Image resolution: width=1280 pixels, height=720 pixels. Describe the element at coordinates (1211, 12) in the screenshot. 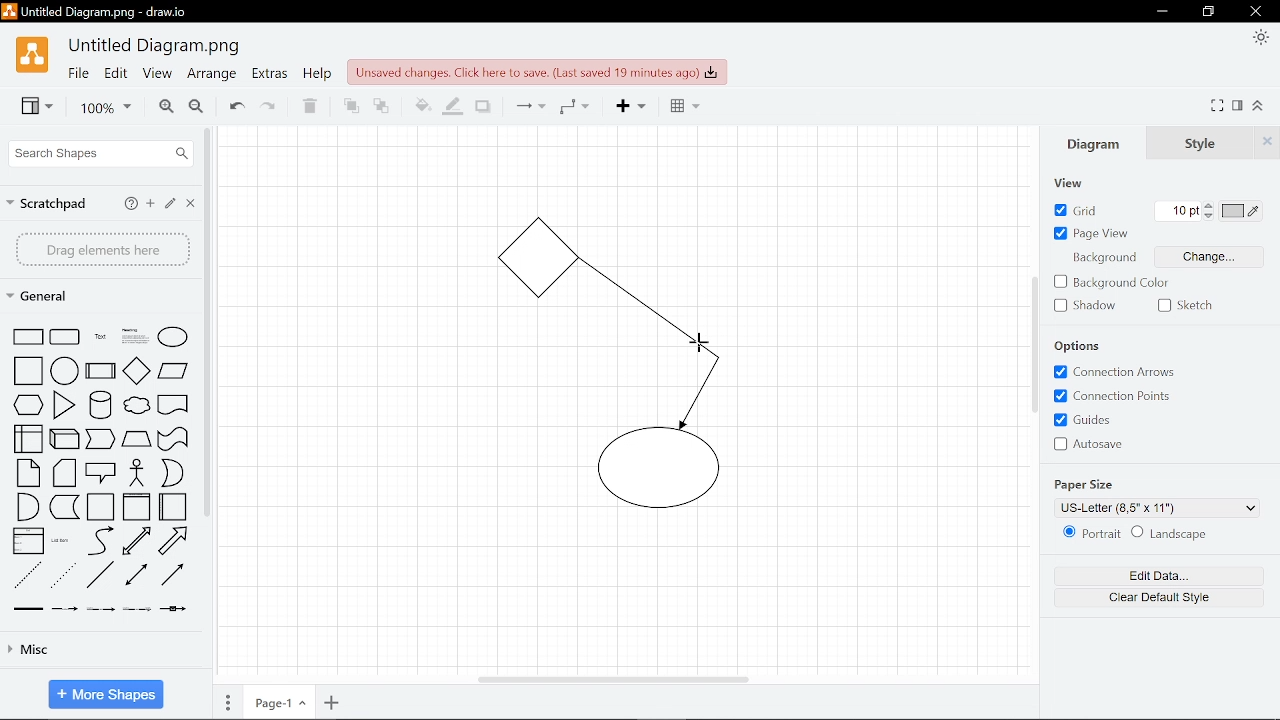

I see `minimize` at that location.